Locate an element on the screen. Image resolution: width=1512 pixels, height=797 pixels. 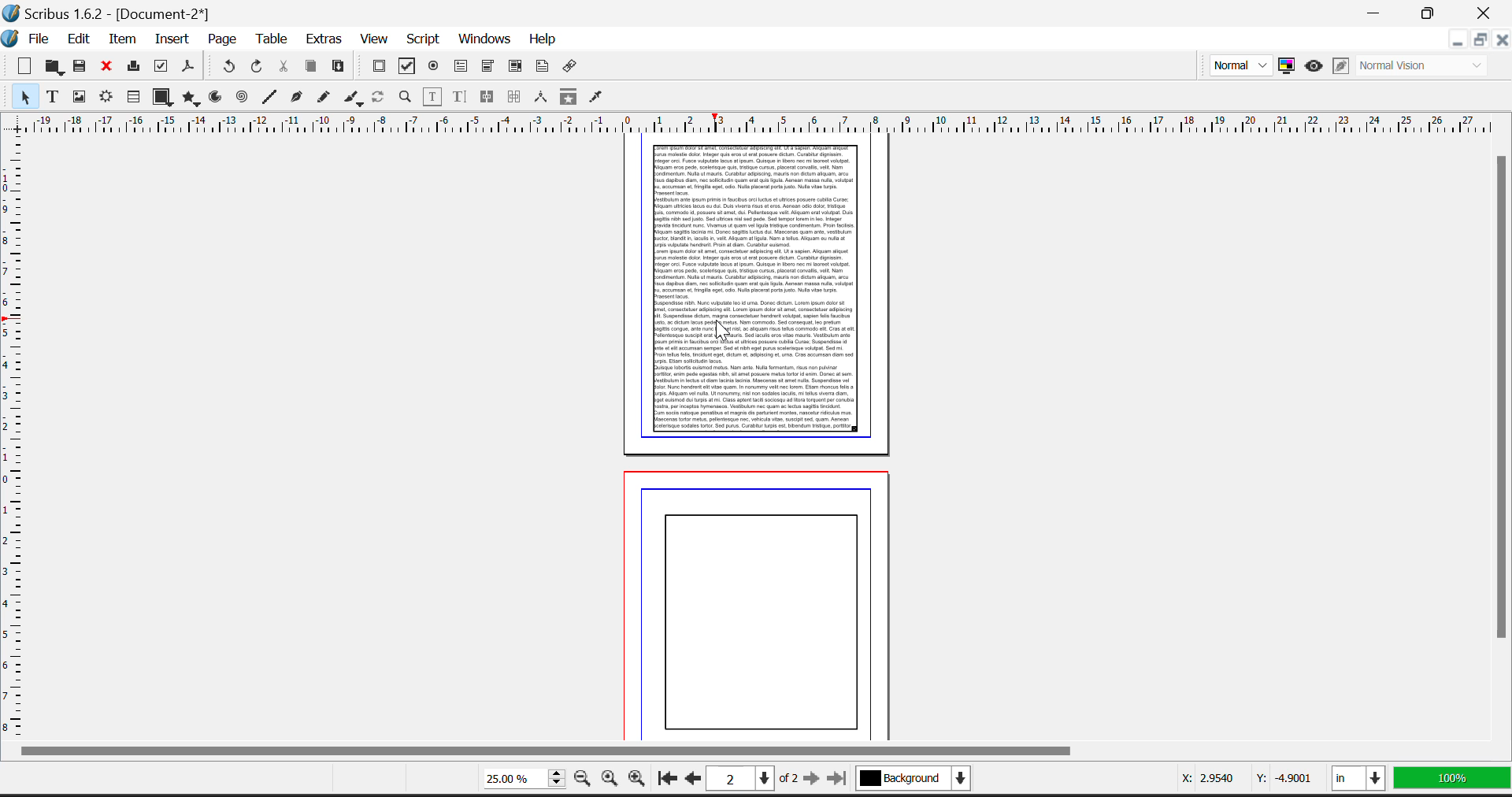
Copy Item Properties is located at coordinates (568, 98).